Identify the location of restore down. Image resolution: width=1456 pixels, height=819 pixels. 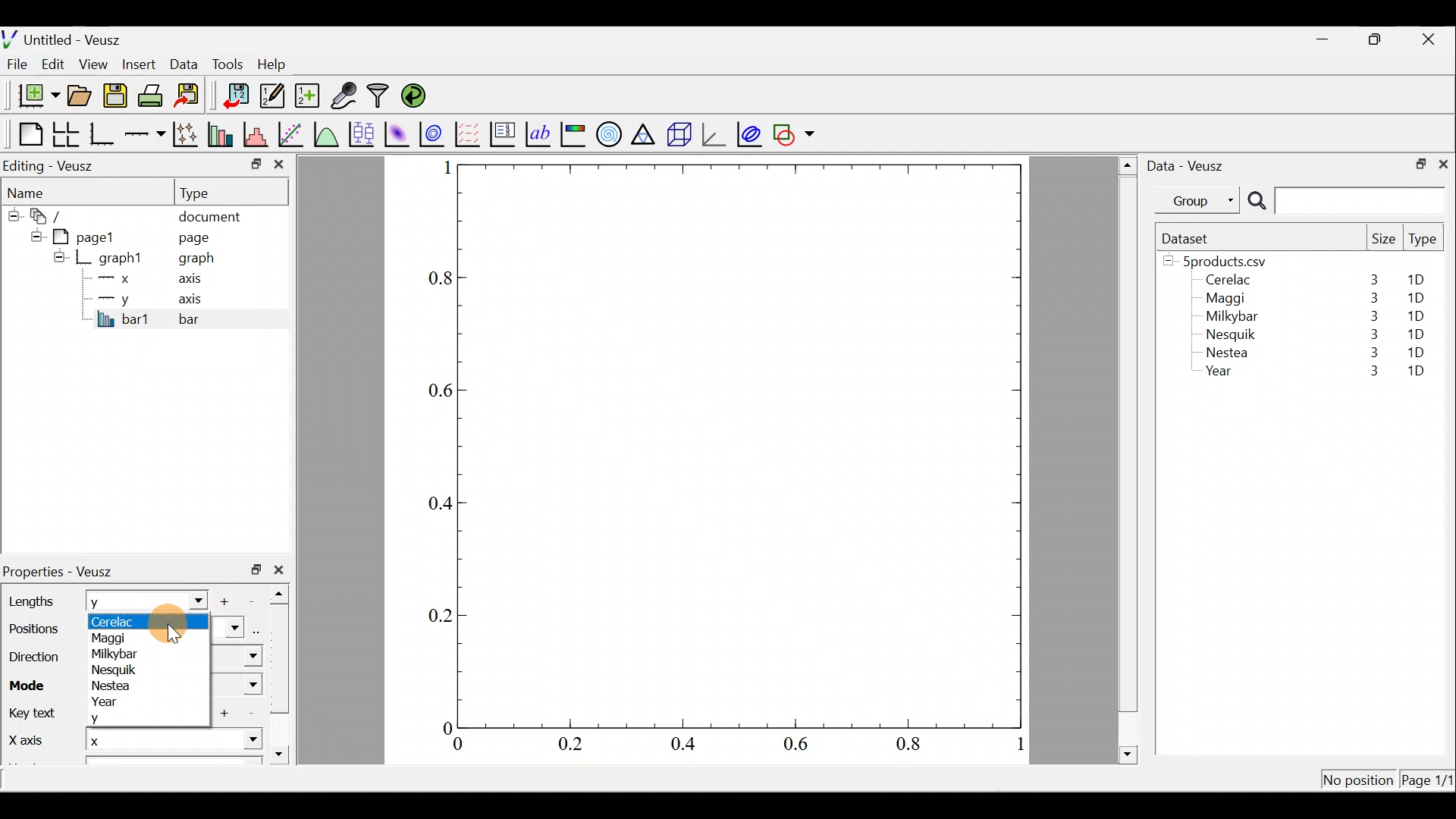
(1377, 39).